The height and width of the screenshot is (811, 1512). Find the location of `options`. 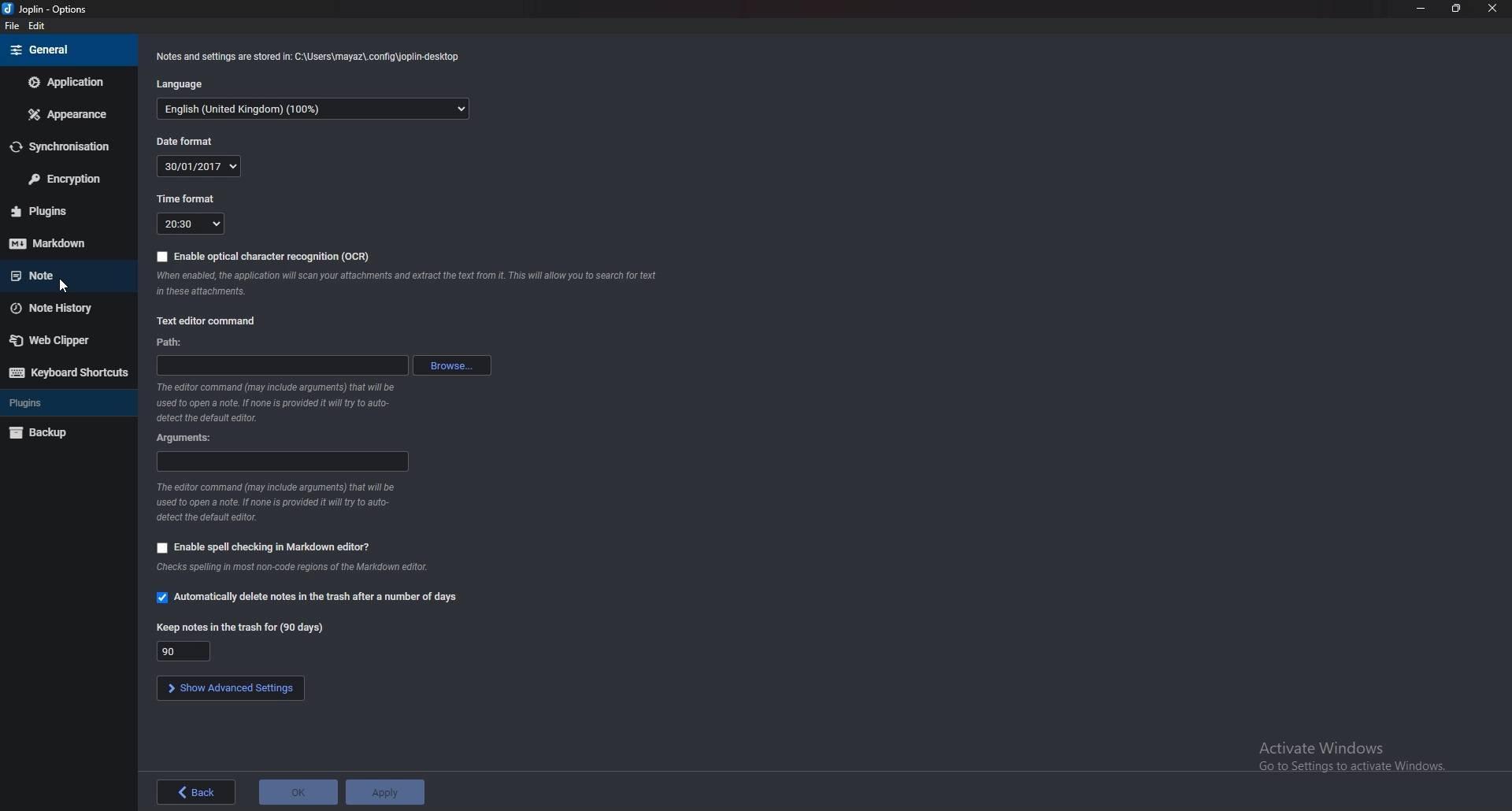

options is located at coordinates (49, 10).